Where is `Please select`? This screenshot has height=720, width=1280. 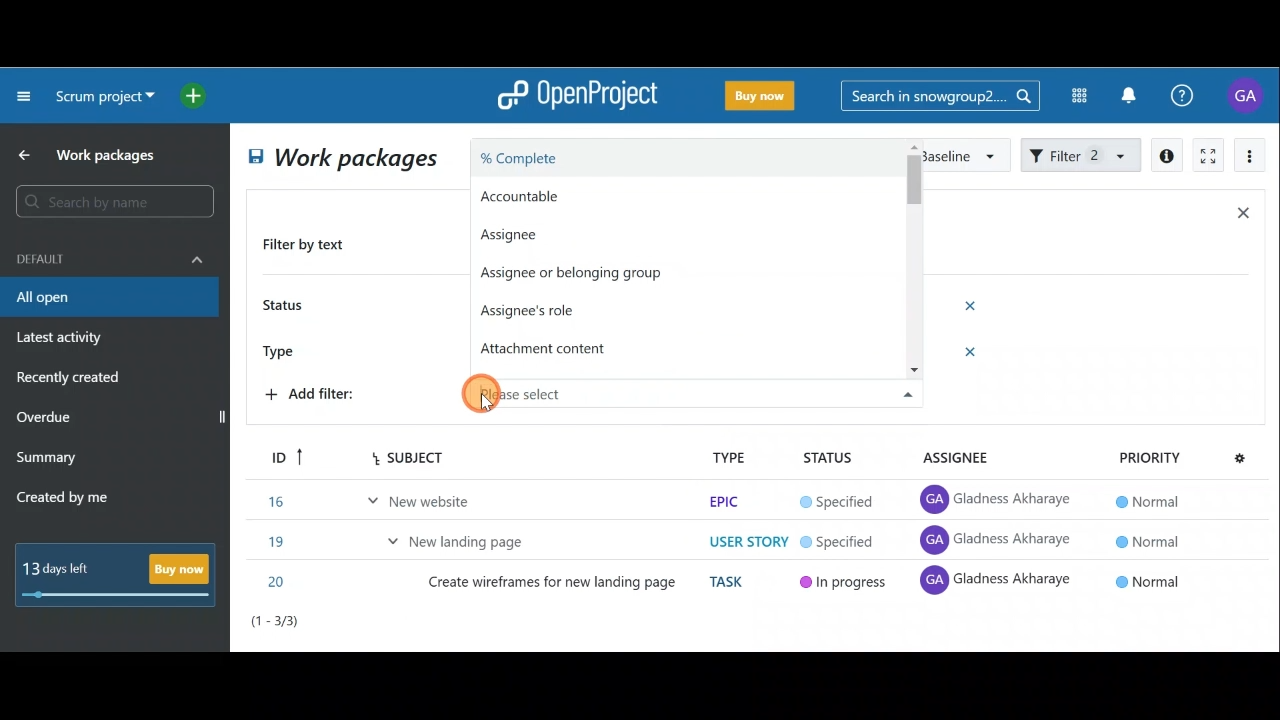 Please select is located at coordinates (673, 387).